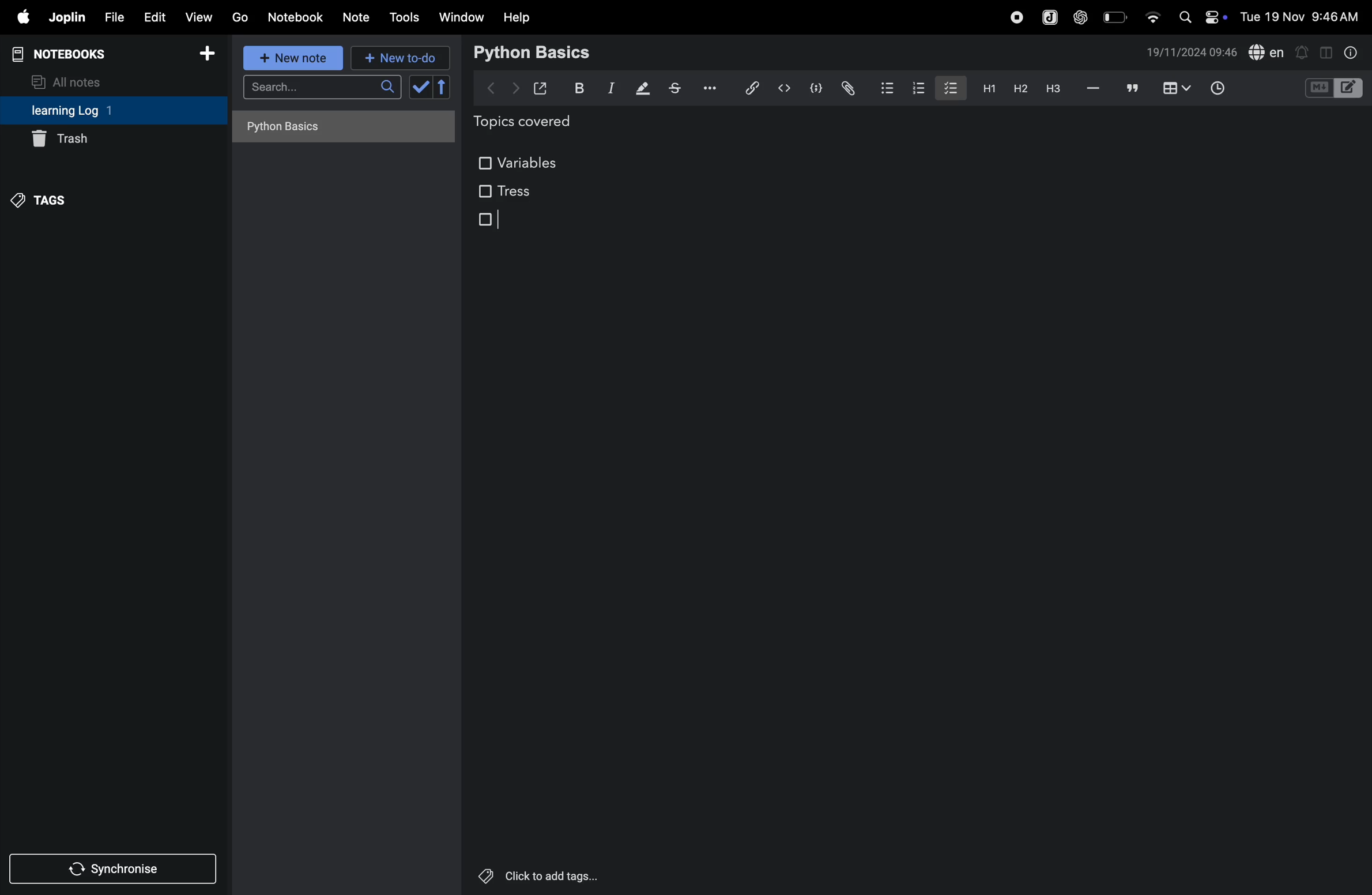 The width and height of the screenshot is (1372, 895). What do you see at coordinates (1053, 89) in the screenshot?
I see `heading 3` at bounding box center [1053, 89].